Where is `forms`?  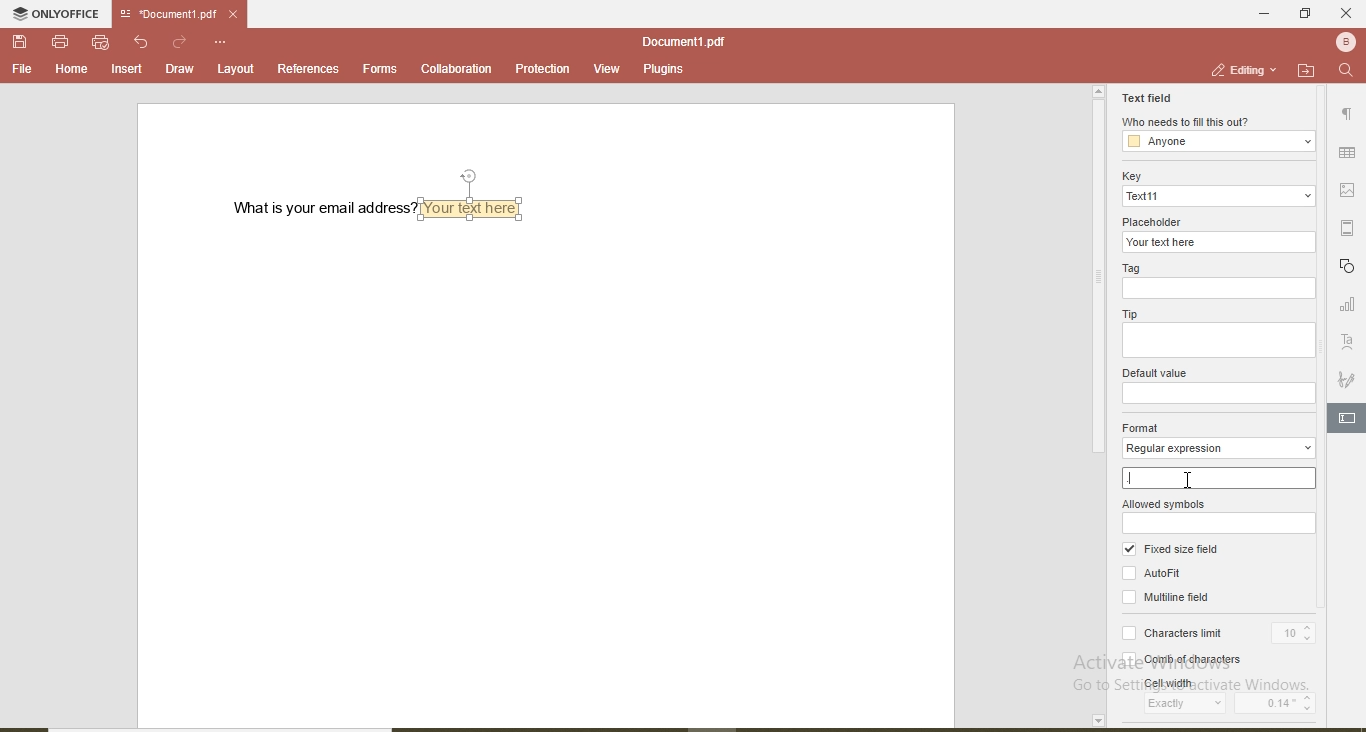
forms is located at coordinates (380, 68).